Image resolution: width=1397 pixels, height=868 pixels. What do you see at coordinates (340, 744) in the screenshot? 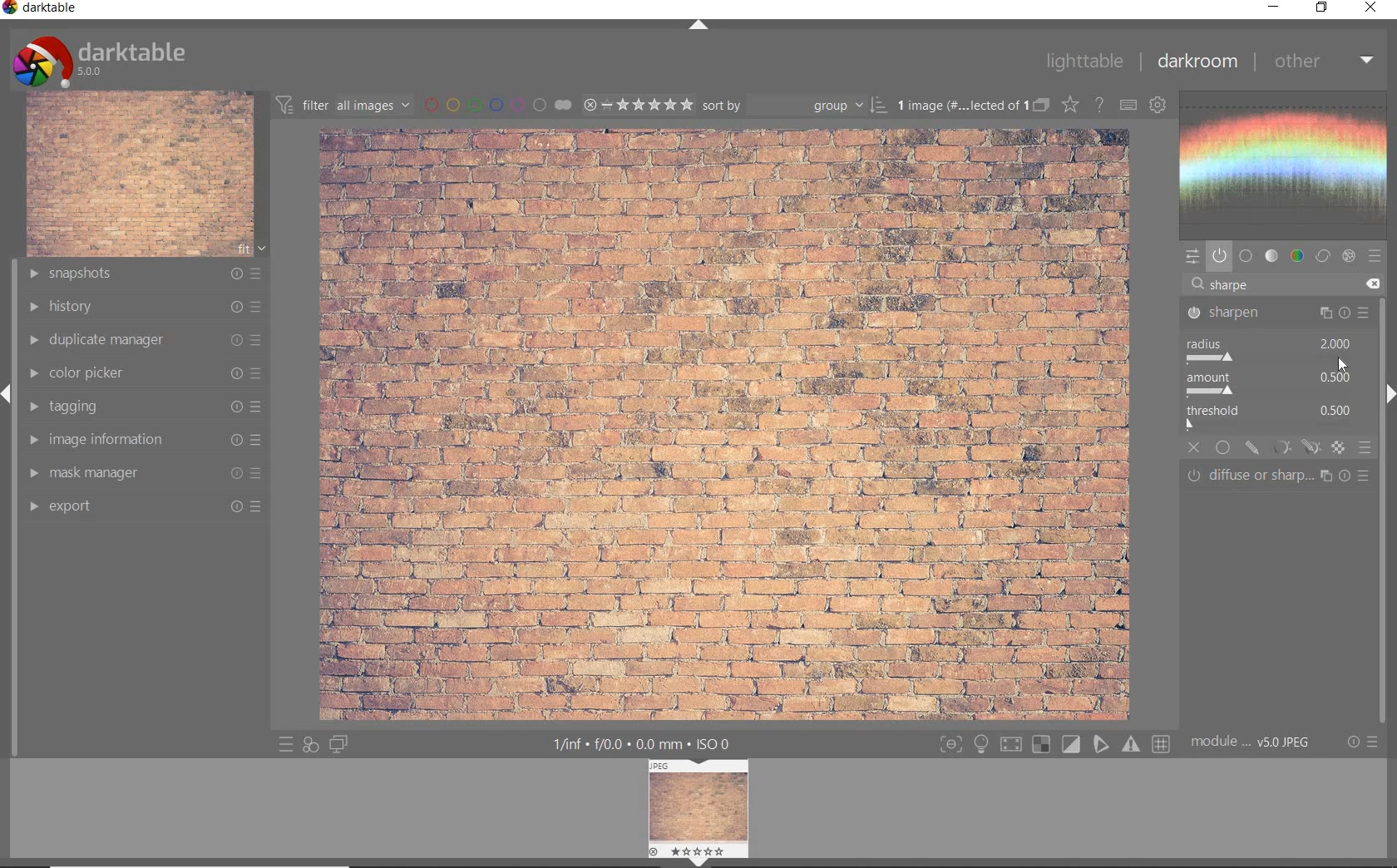
I see `display a second darkroom image widow` at bounding box center [340, 744].